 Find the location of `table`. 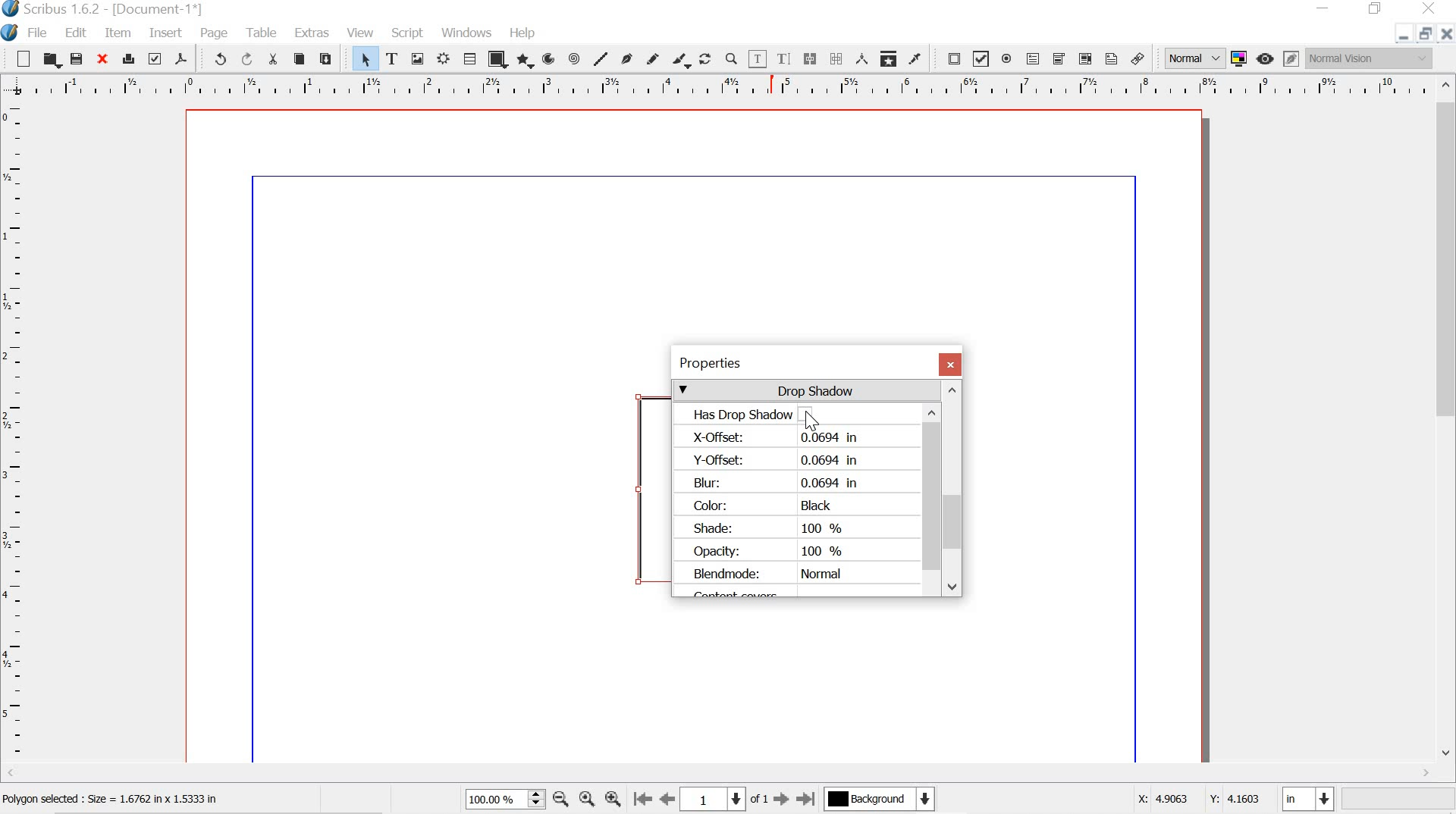

table is located at coordinates (469, 59).